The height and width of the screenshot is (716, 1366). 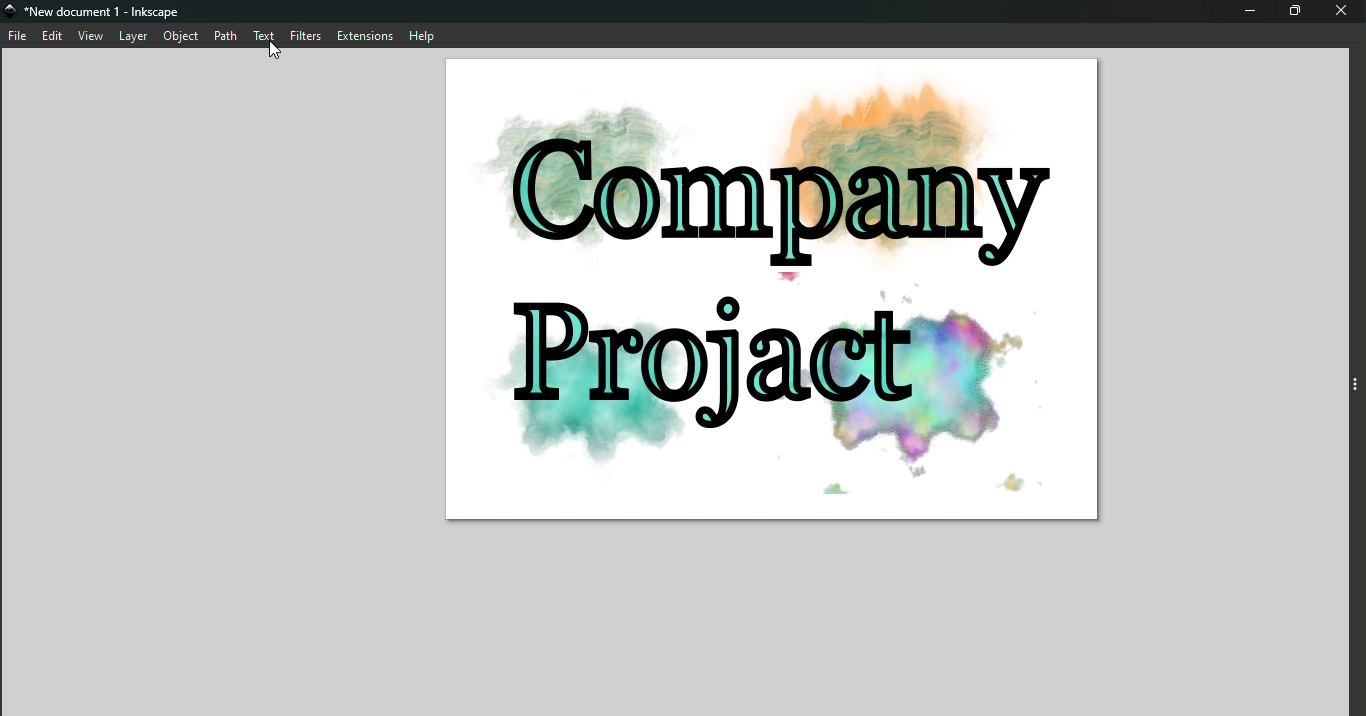 What do you see at coordinates (760, 289) in the screenshot?
I see `canvas` at bounding box center [760, 289].